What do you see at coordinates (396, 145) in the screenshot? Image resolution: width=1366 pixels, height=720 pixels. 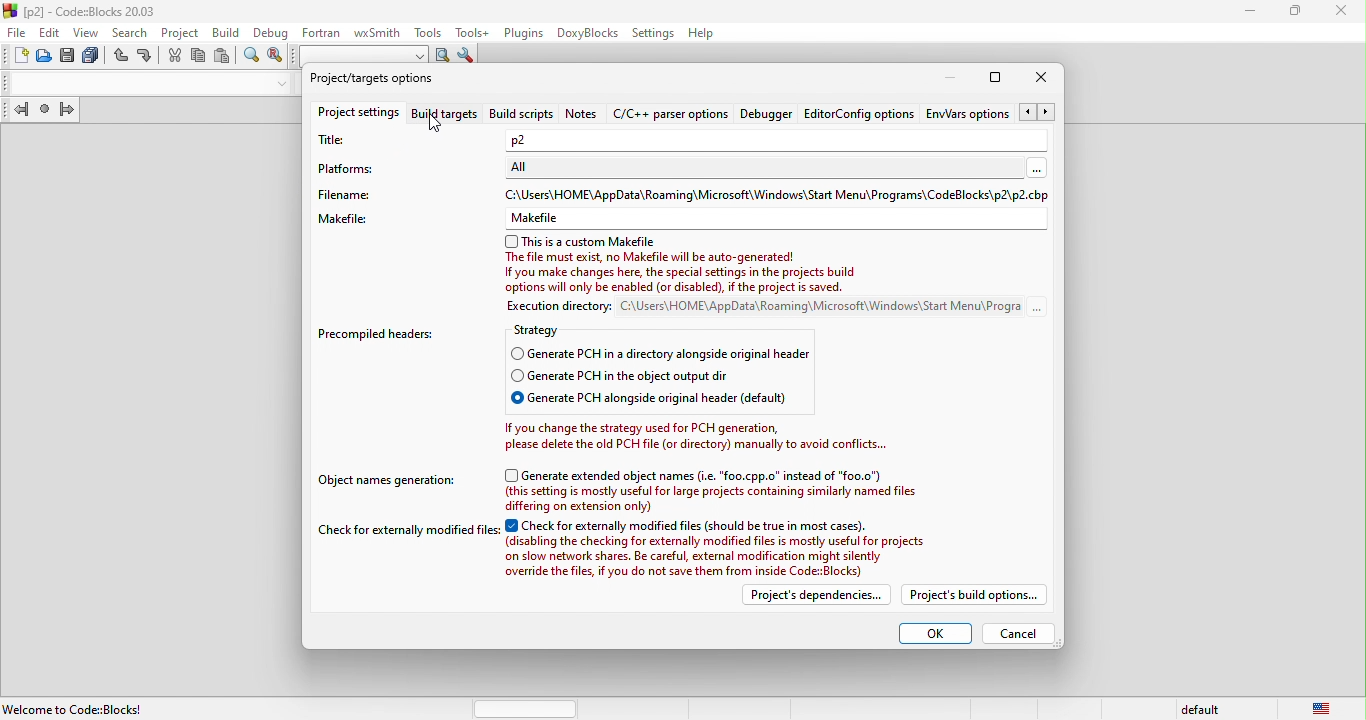 I see `title` at bounding box center [396, 145].